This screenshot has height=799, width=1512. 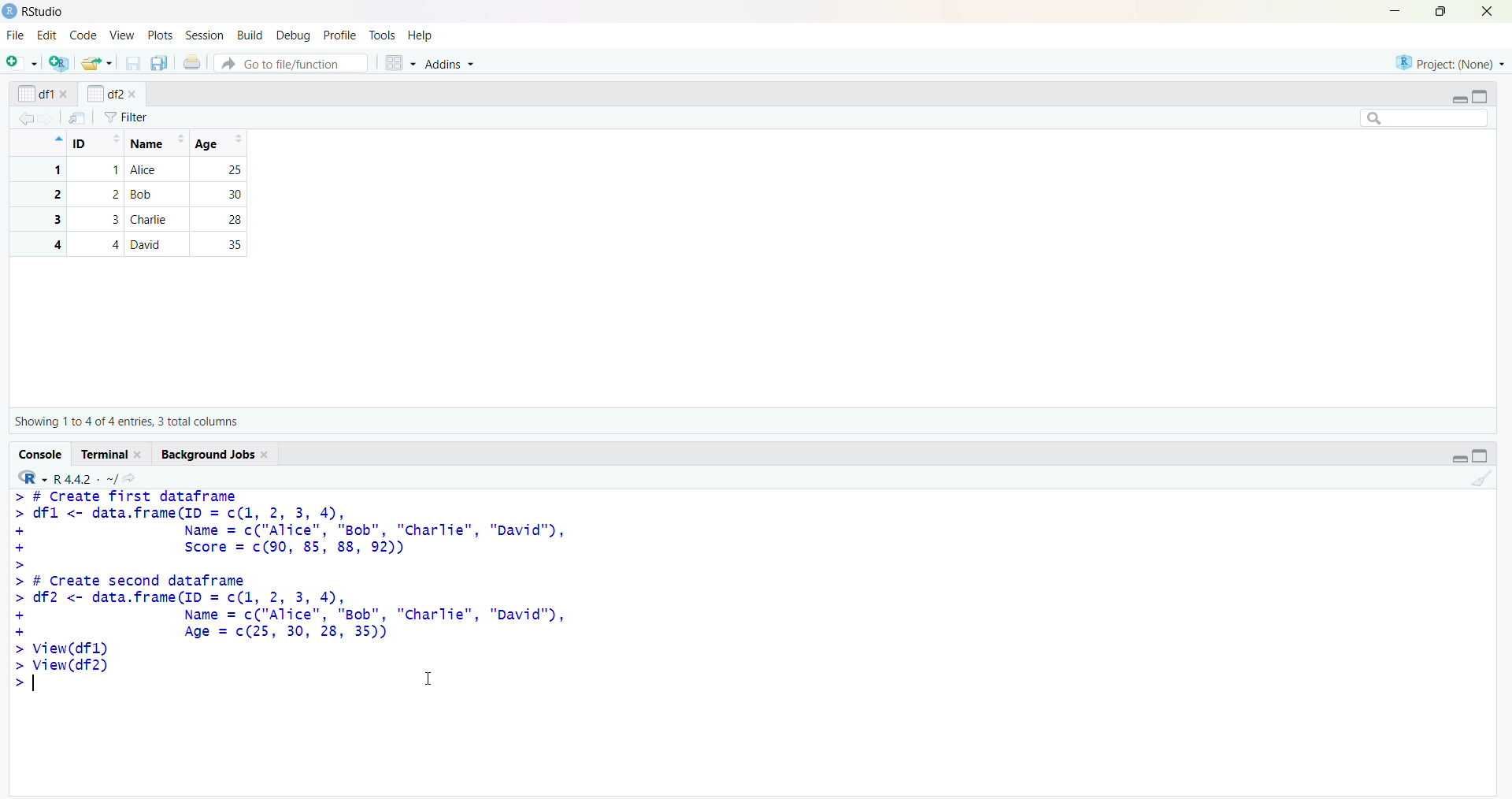 I want to click on close, so click(x=132, y=95).